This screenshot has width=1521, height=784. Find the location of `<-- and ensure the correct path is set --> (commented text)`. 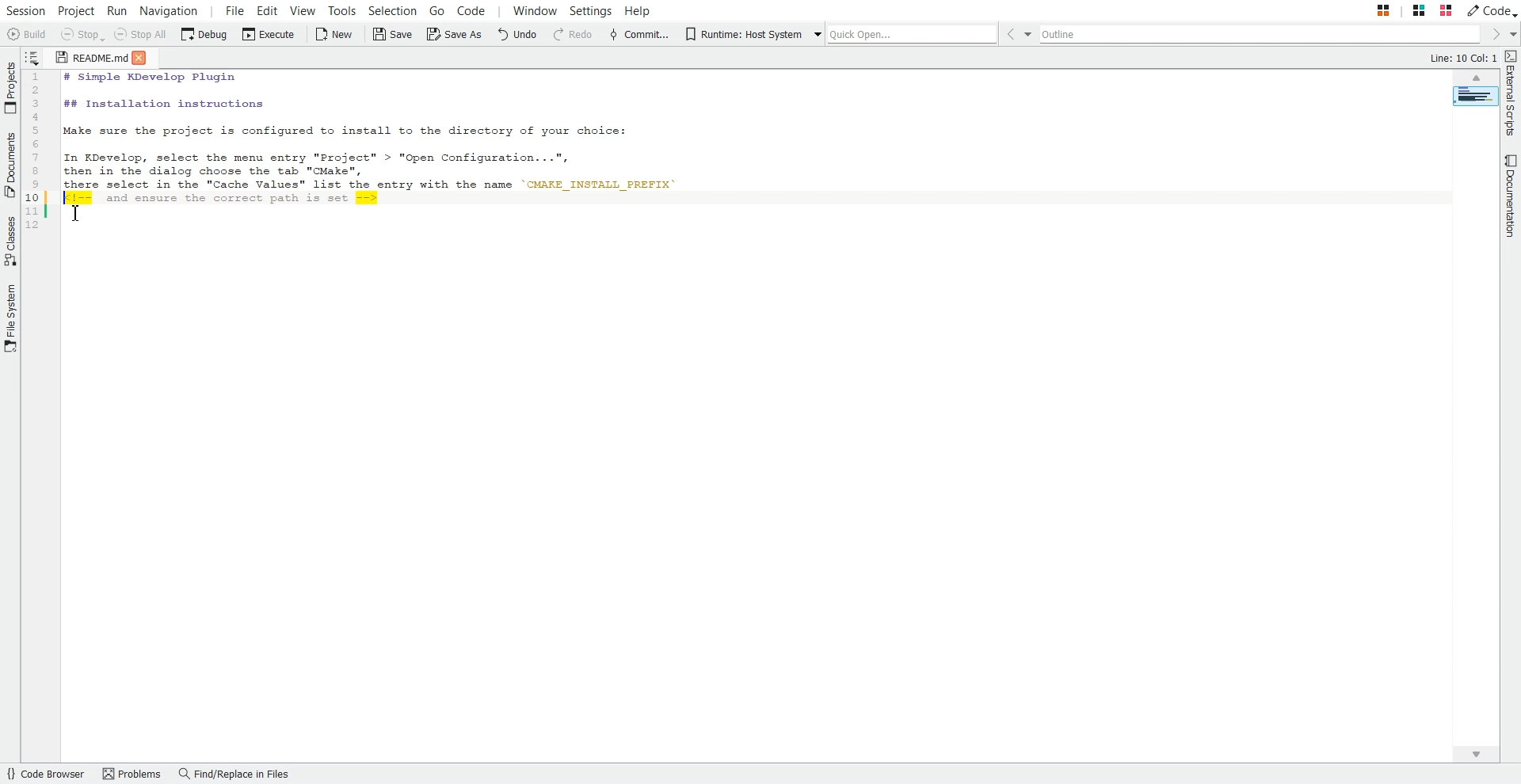

<-- and ensure the correct path is set --> (commented text) is located at coordinates (219, 200).